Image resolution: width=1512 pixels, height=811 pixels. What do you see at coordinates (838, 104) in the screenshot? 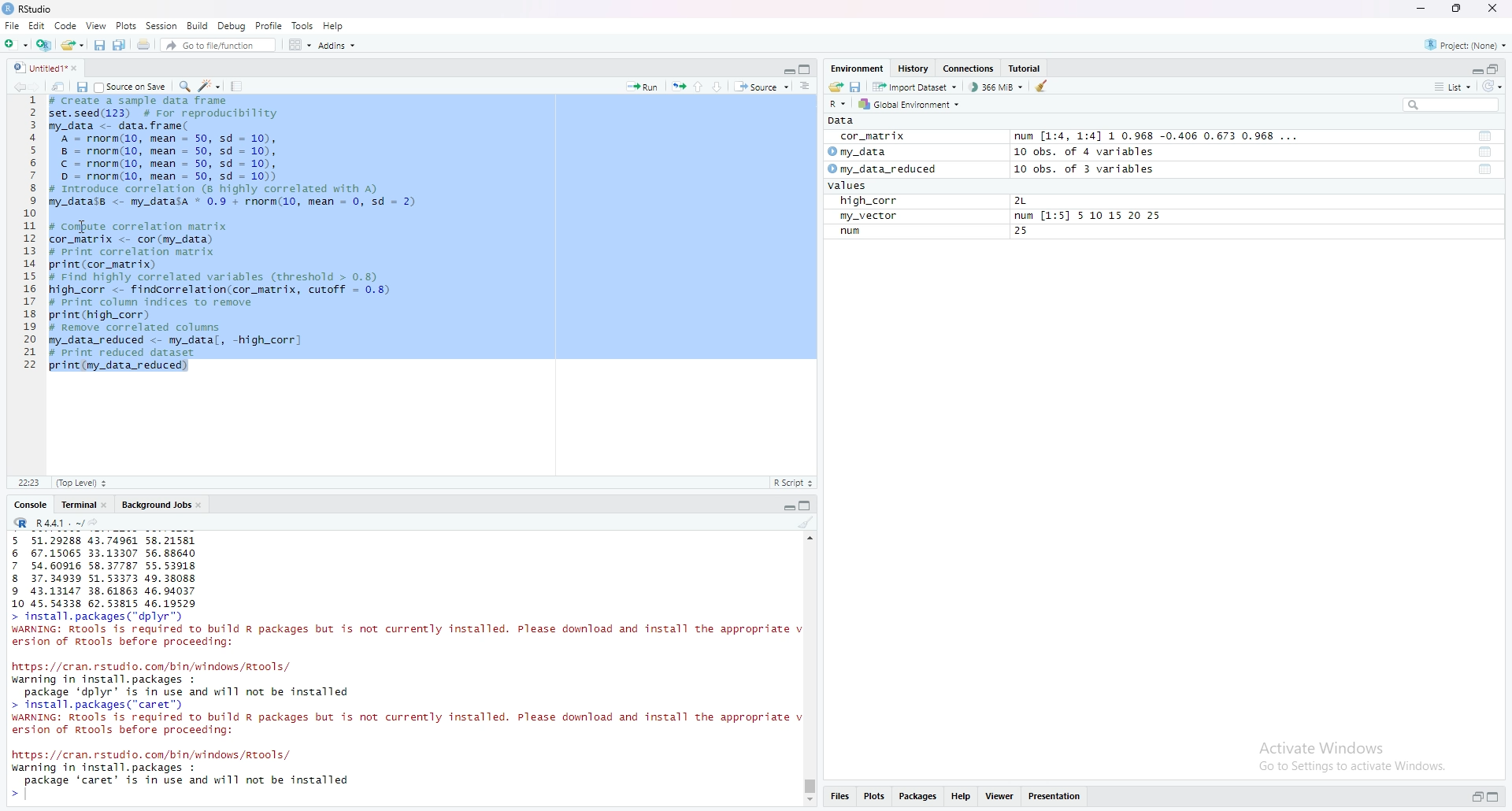
I see `R` at bounding box center [838, 104].